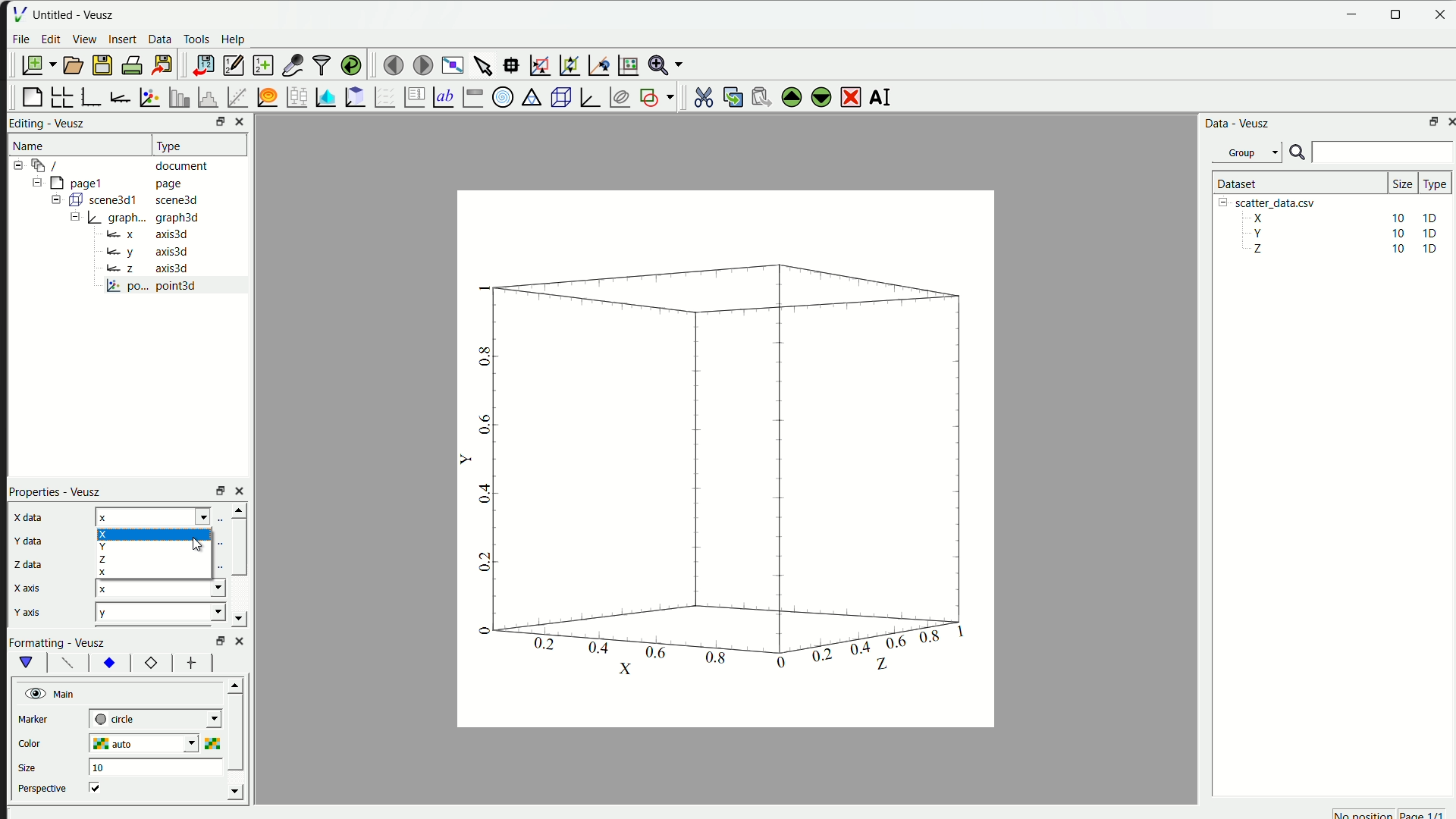  Describe the element at coordinates (26, 563) in the screenshot. I see `z data` at that location.